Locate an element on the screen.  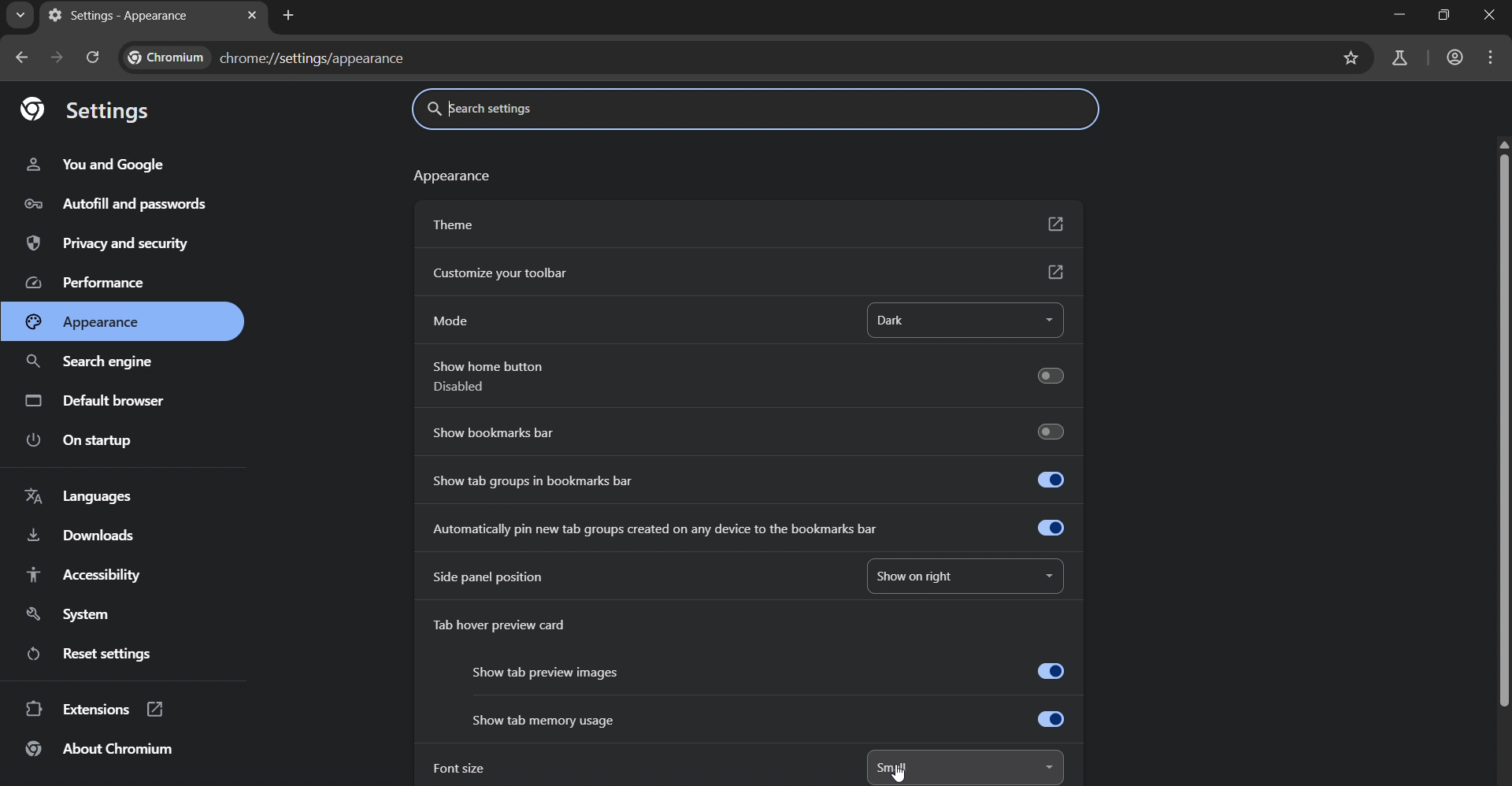
theme is located at coordinates (746, 222).